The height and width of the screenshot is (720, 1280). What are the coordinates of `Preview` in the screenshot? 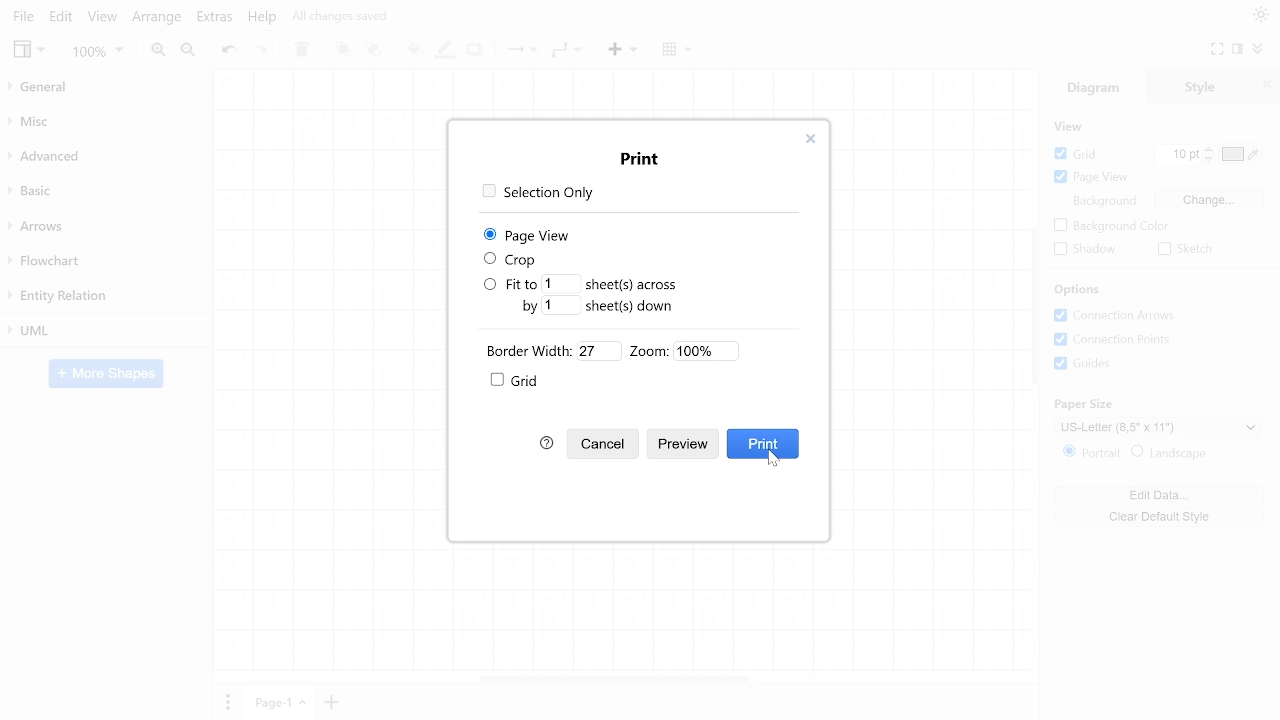 It's located at (685, 444).